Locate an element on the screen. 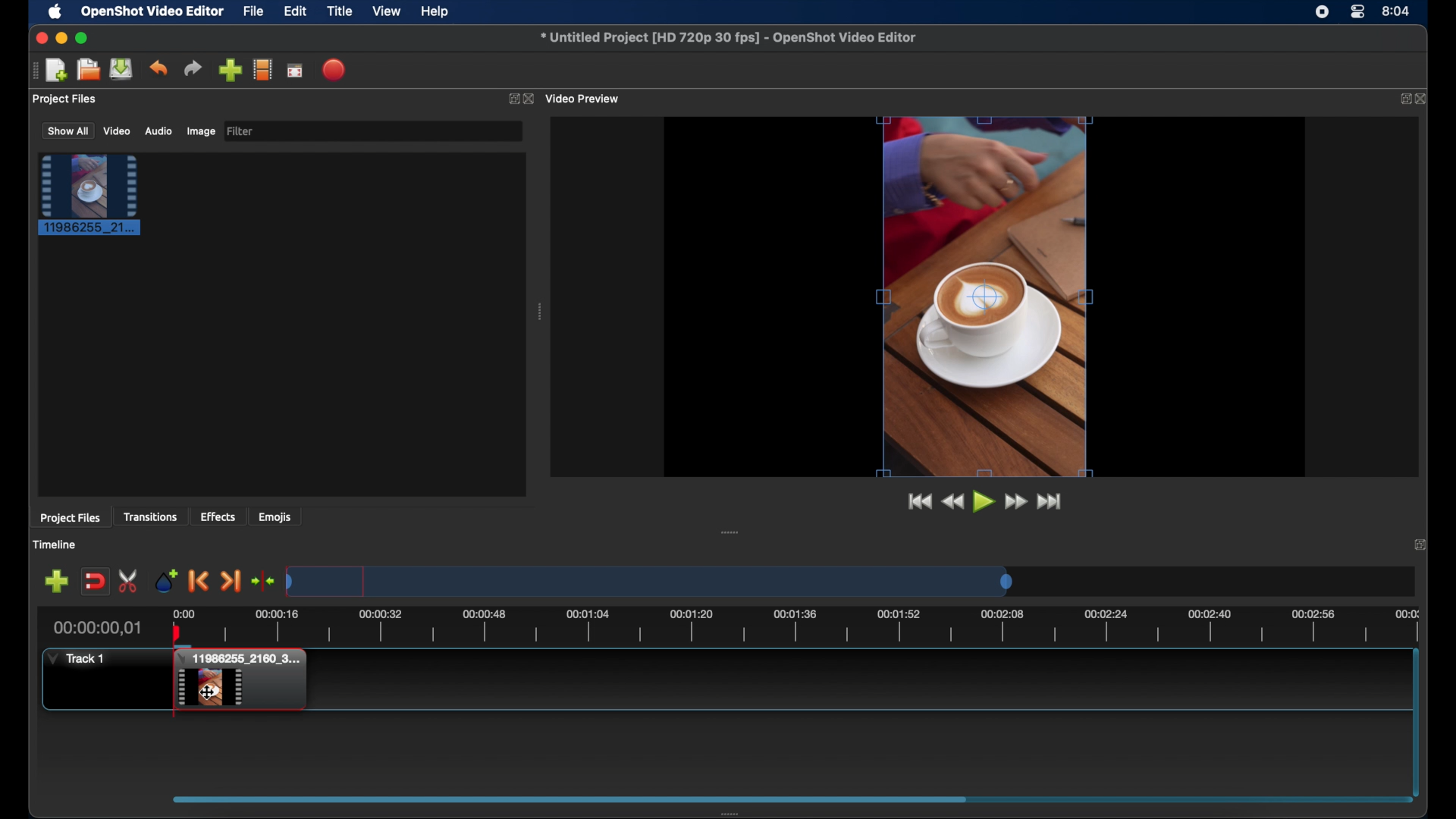  audio is located at coordinates (158, 130).